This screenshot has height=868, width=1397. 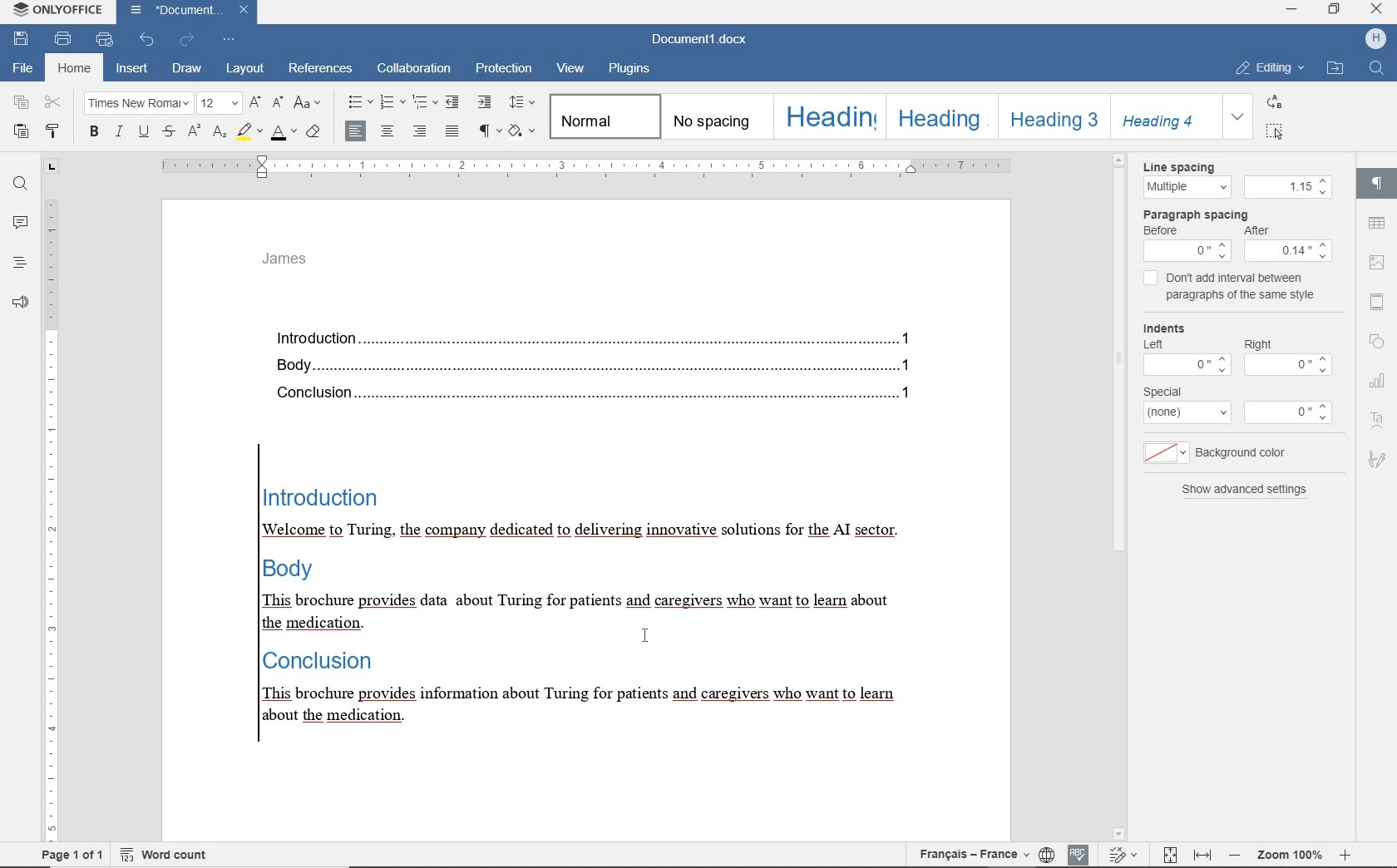 I want to click on comments, so click(x=20, y=224).